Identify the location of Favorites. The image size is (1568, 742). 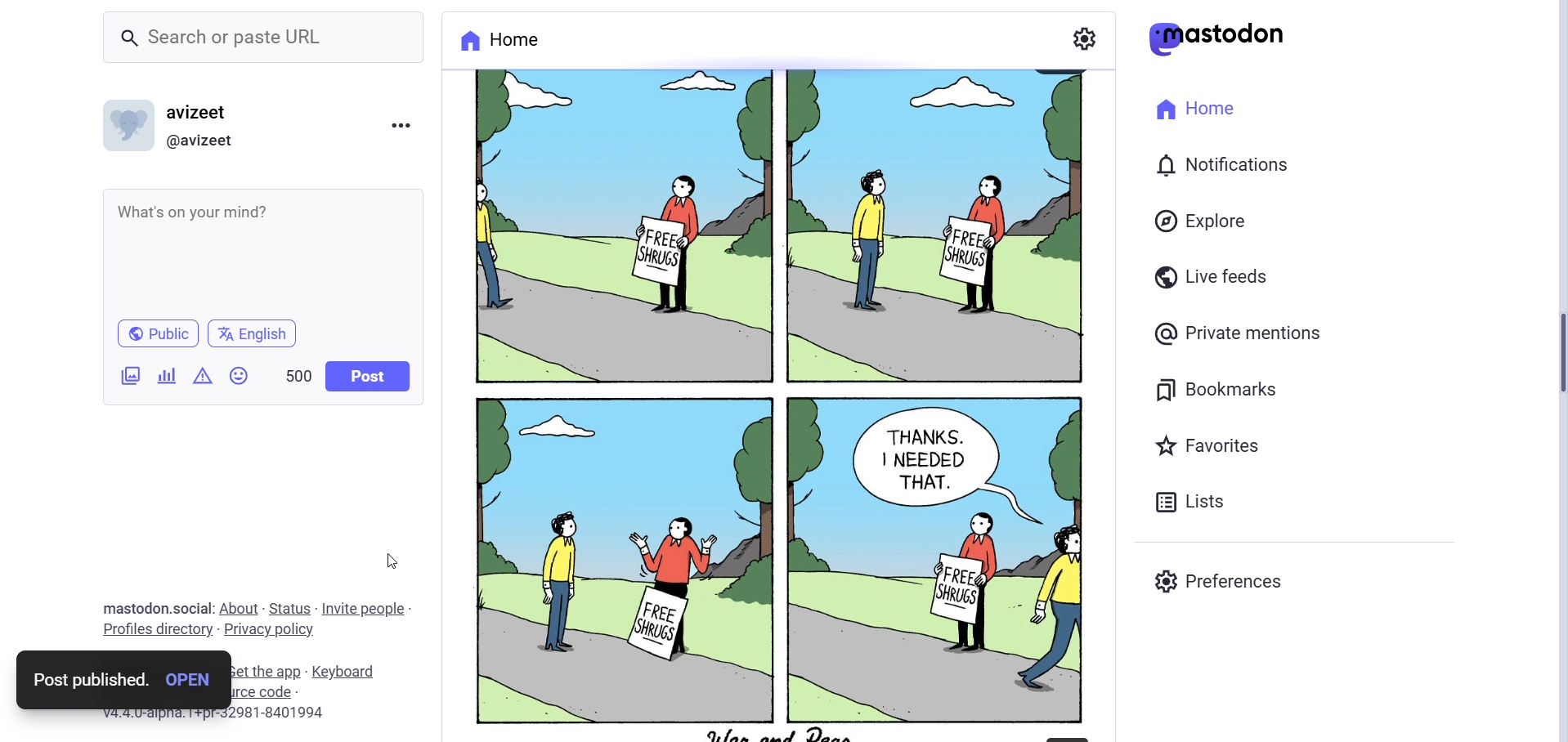
(1212, 444).